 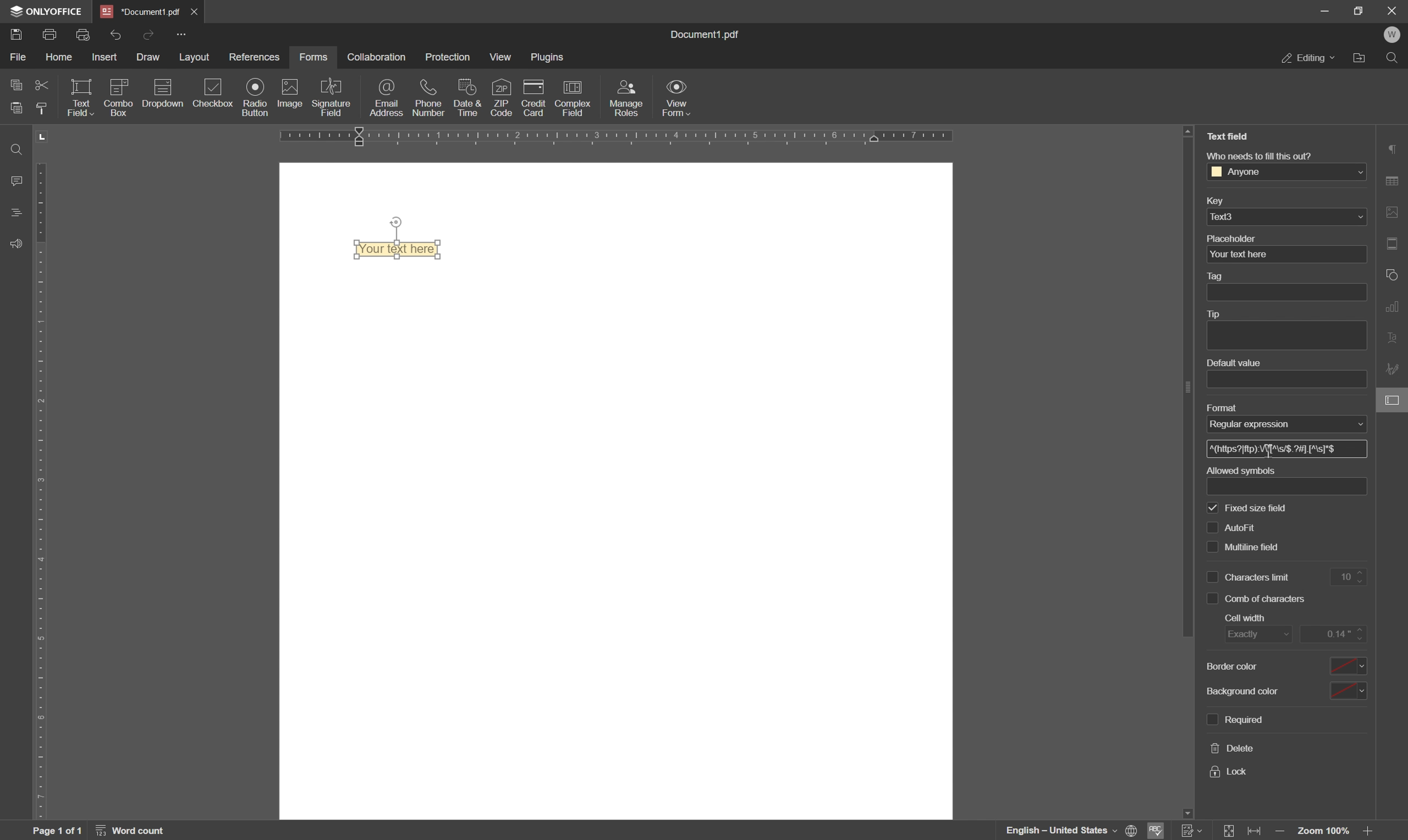 I want to click on characters limit, so click(x=1260, y=577).